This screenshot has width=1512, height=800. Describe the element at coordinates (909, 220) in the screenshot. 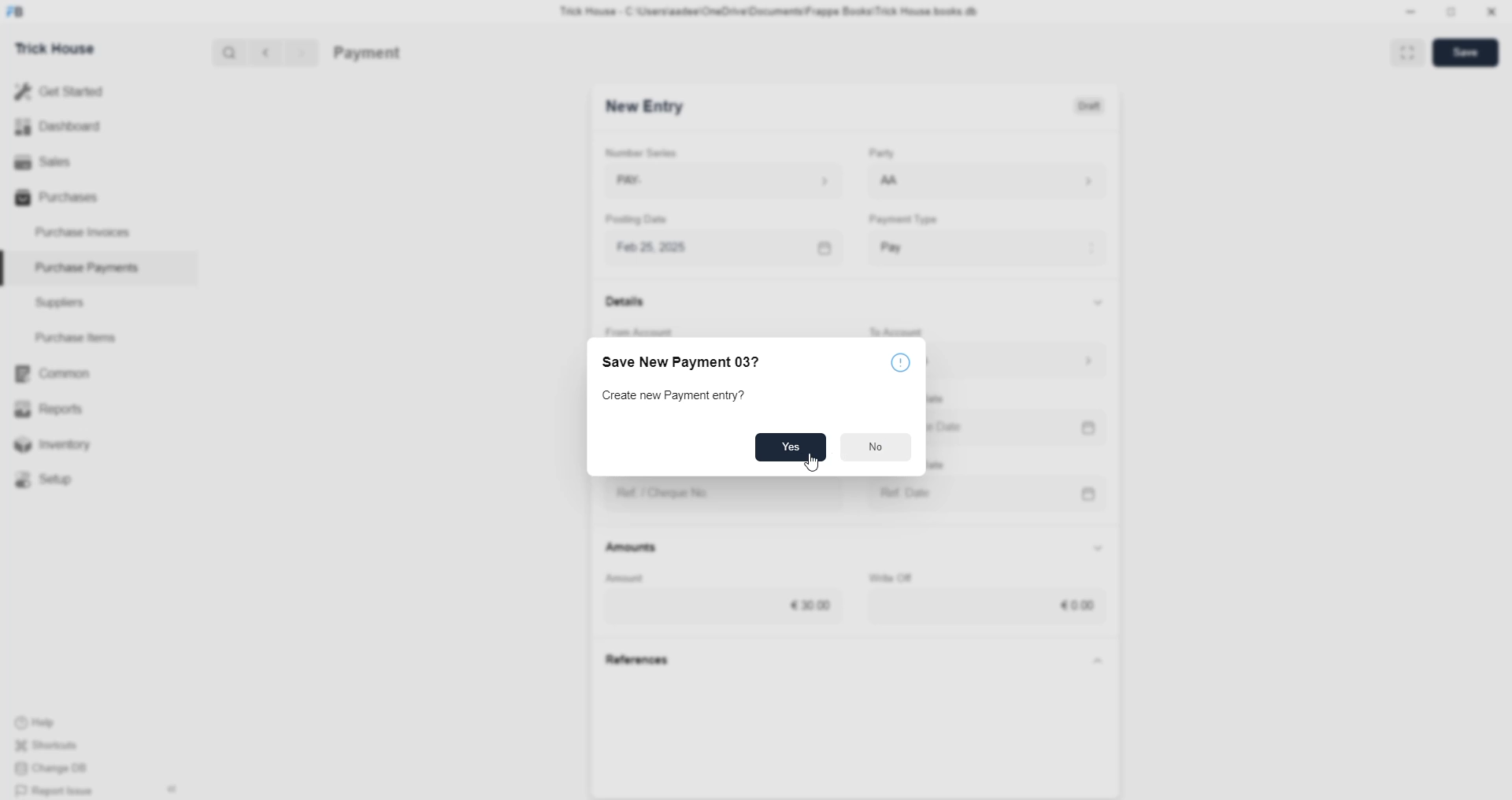

I see `payment type` at that location.